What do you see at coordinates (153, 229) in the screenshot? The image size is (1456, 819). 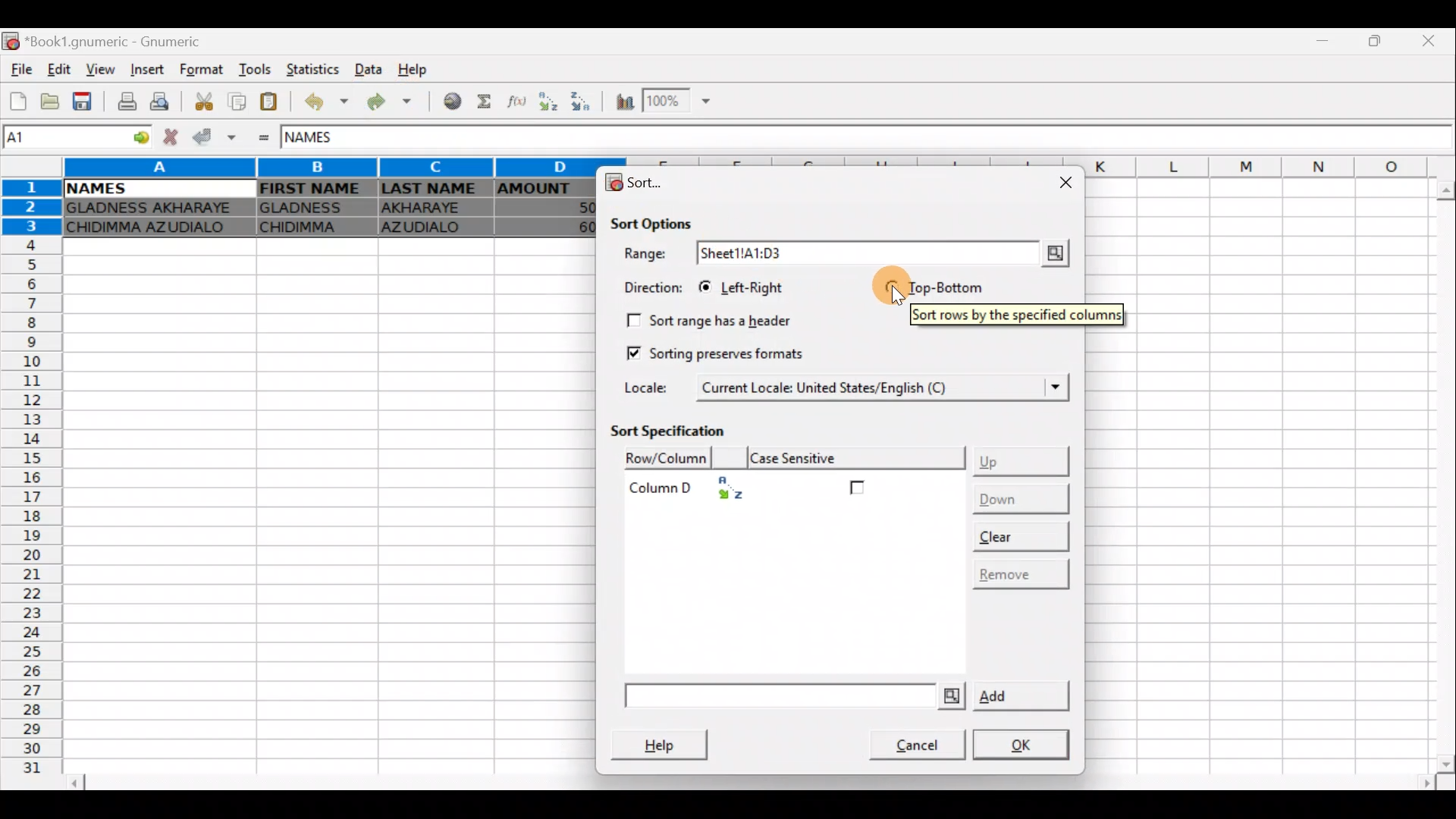 I see `CHIDIMMA AZUDIALO` at bounding box center [153, 229].